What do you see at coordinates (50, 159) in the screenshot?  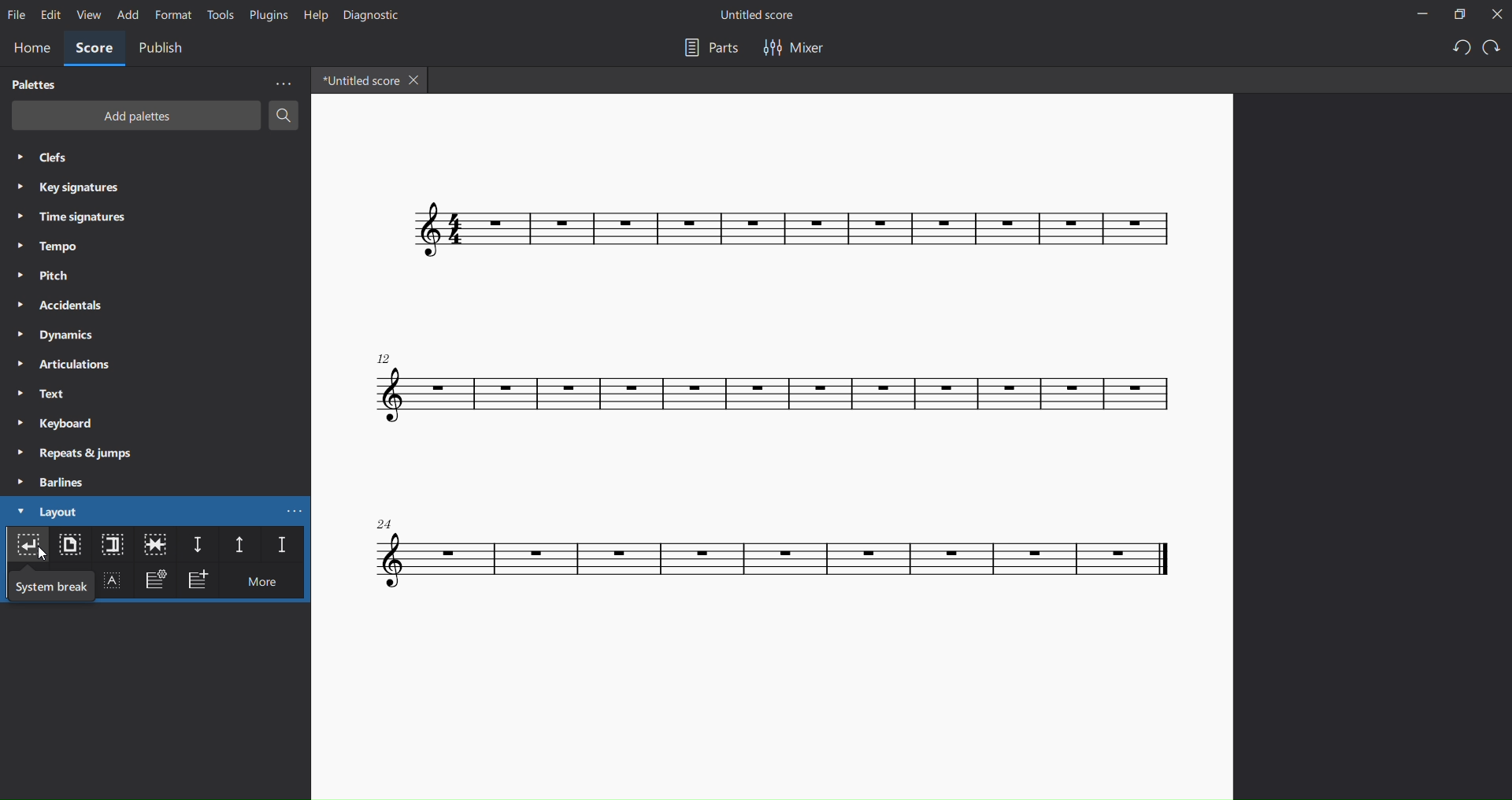 I see `clefs` at bounding box center [50, 159].